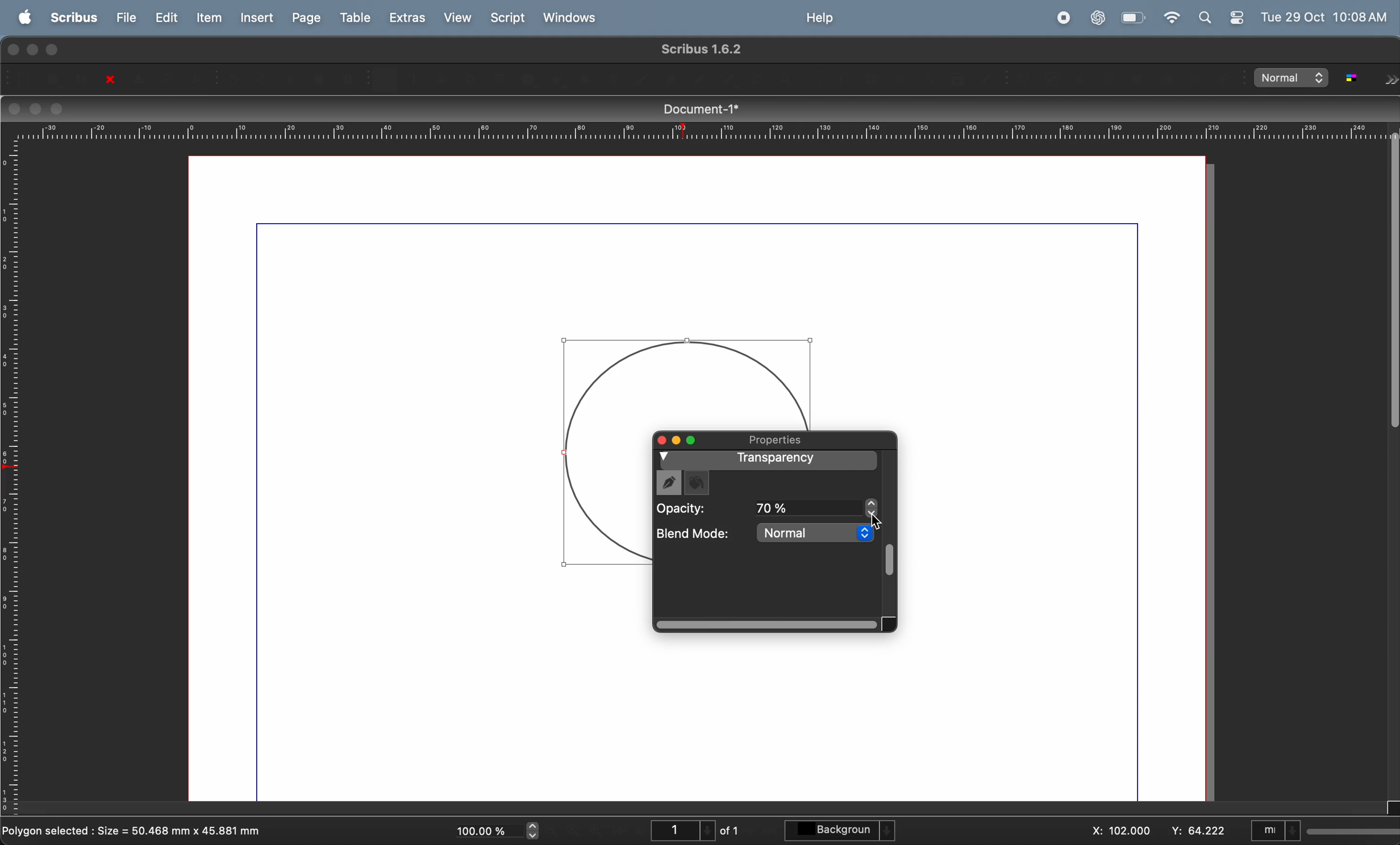 The width and height of the screenshot is (1400, 845). What do you see at coordinates (1169, 17) in the screenshot?
I see `wifi` at bounding box center [1169, 17].